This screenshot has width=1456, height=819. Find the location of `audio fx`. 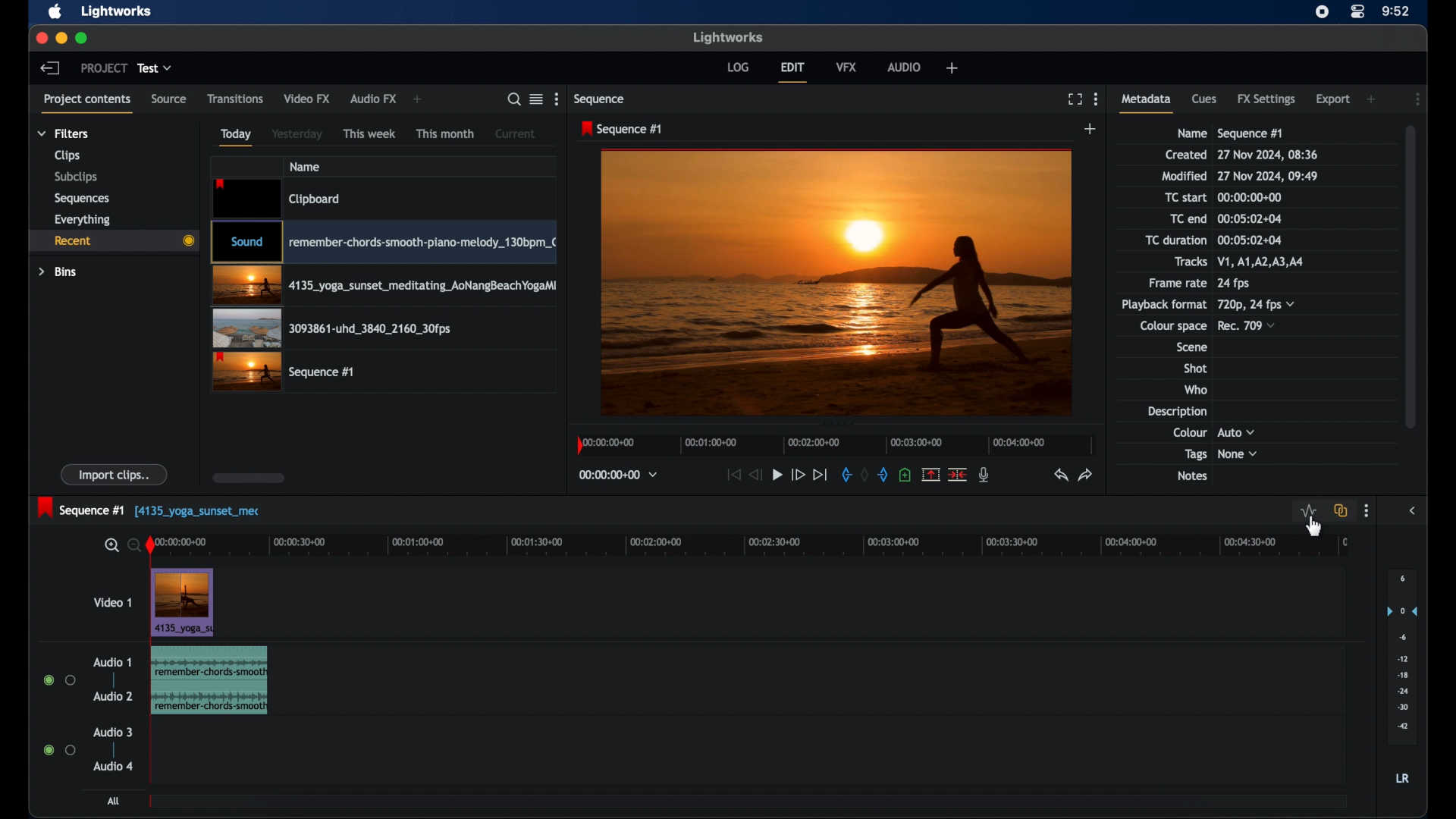

audio fx is located at coordinates (374, 99).